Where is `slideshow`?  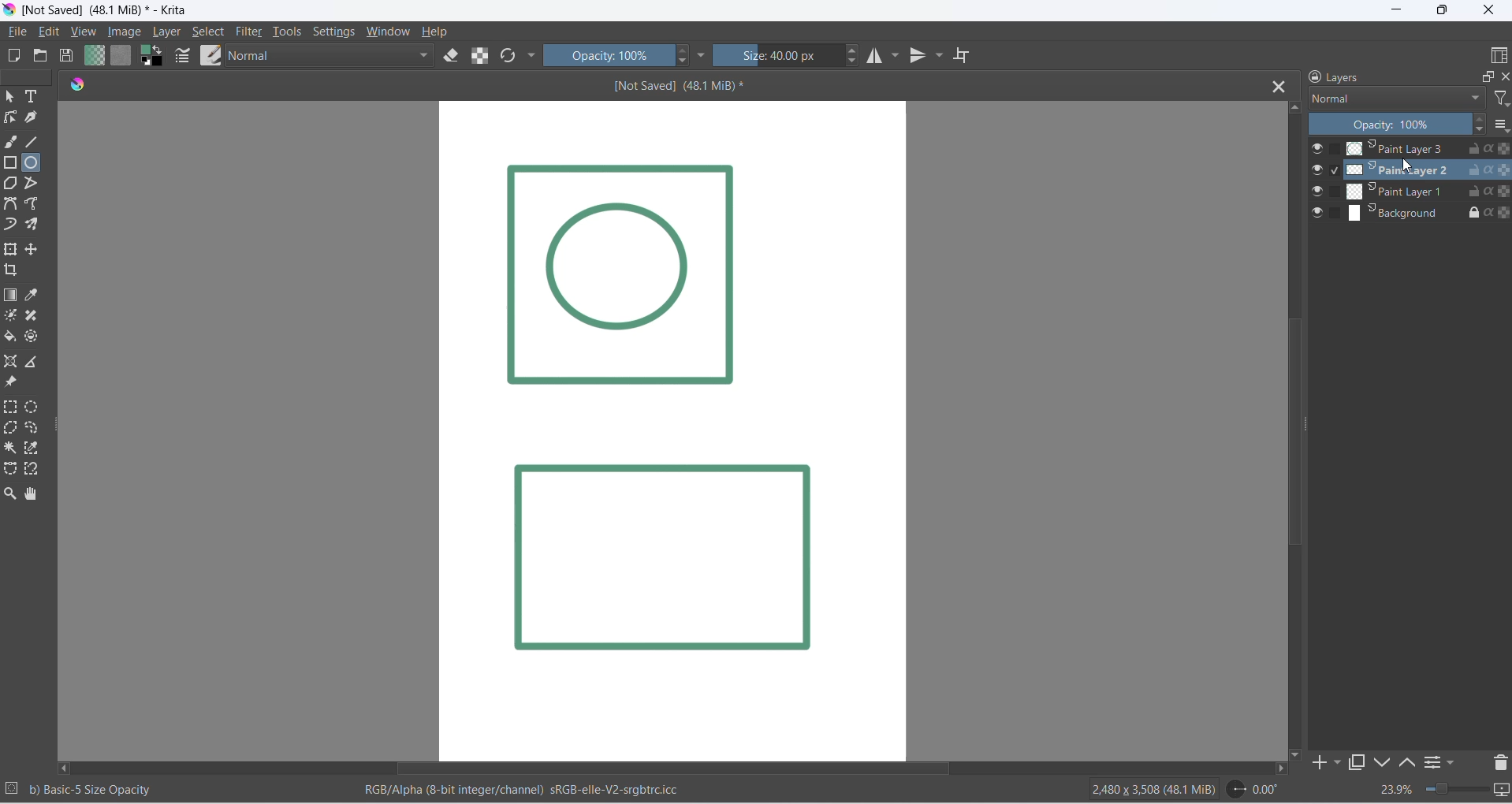
slideshow is located at coordinates (1503, 792).